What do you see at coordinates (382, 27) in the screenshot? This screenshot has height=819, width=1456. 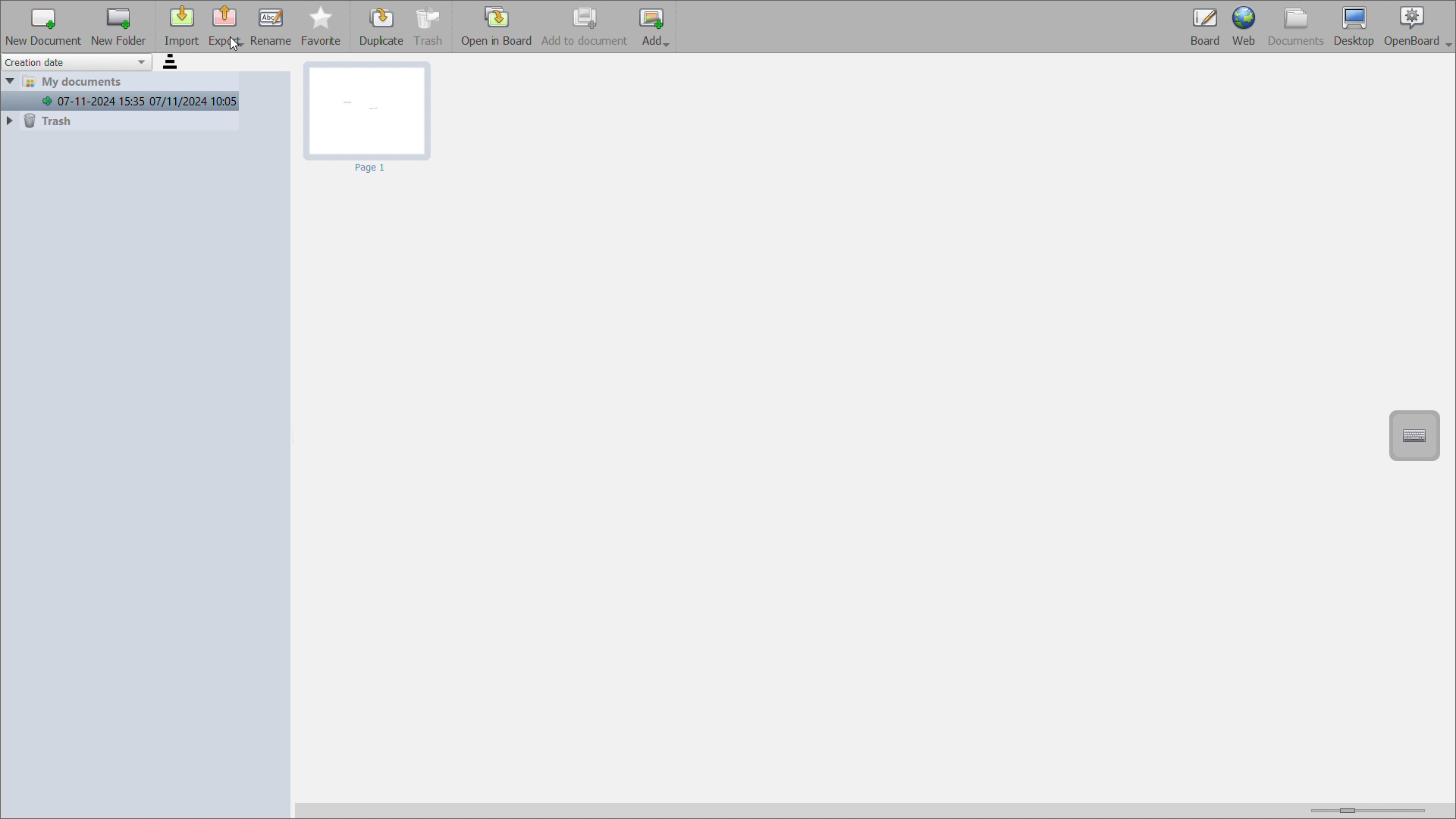 I see `duplicate` at bounding box center [382, 27].